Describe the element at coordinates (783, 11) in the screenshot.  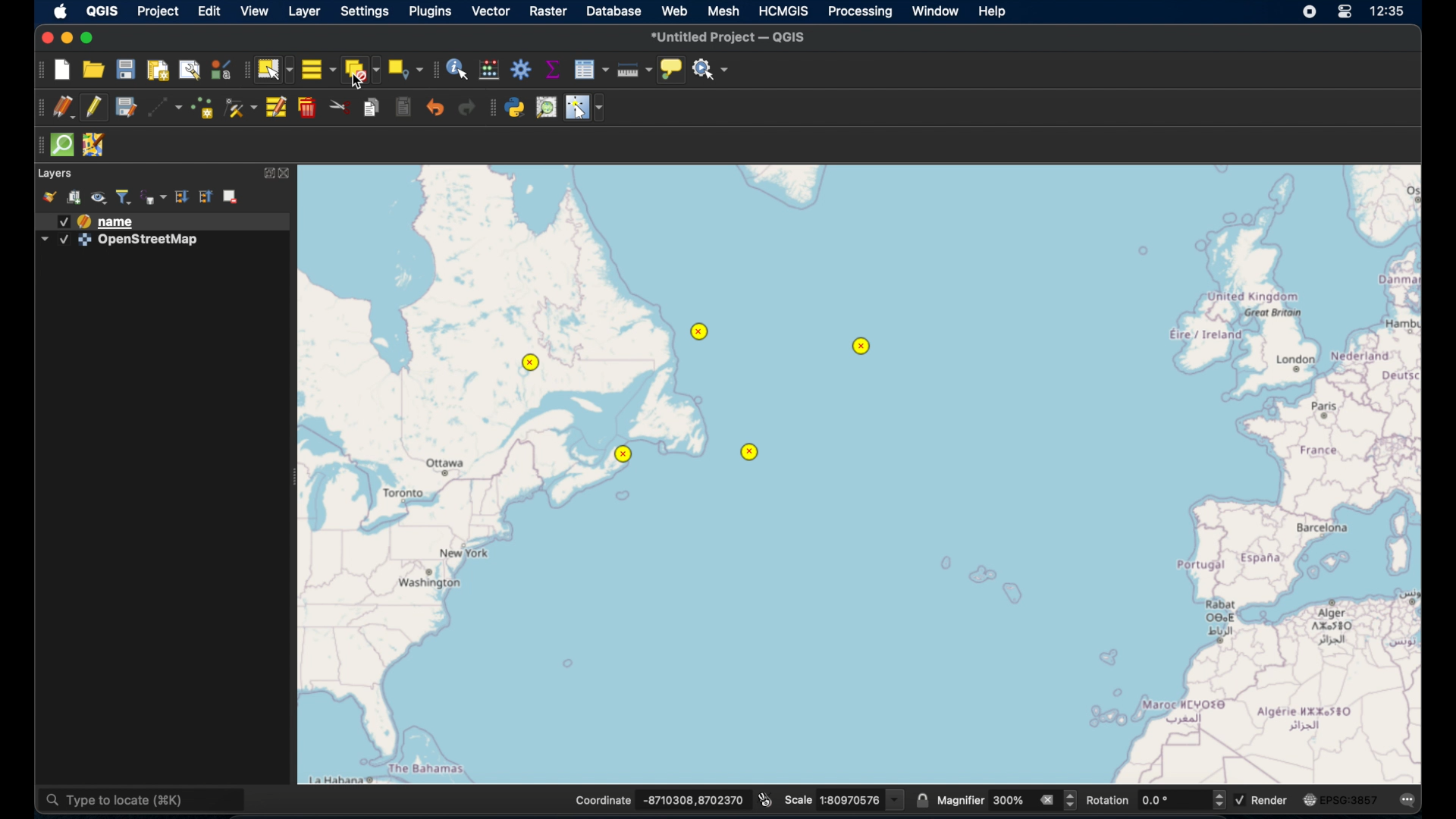
I see `HCMGIS` at that location.